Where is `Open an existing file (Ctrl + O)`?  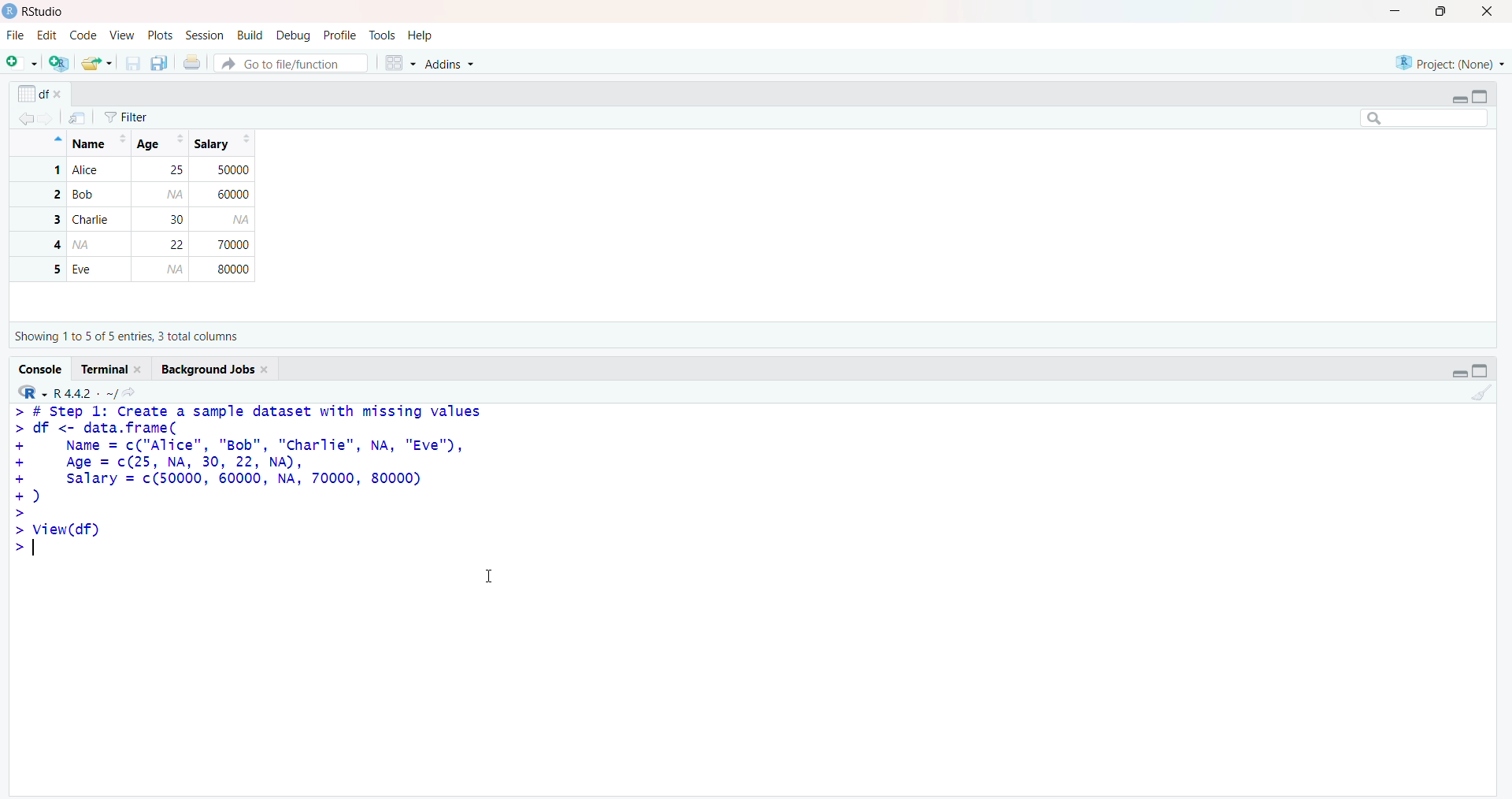
Open an existing file (Ctrl + O) is located at coordinates (94, 63).